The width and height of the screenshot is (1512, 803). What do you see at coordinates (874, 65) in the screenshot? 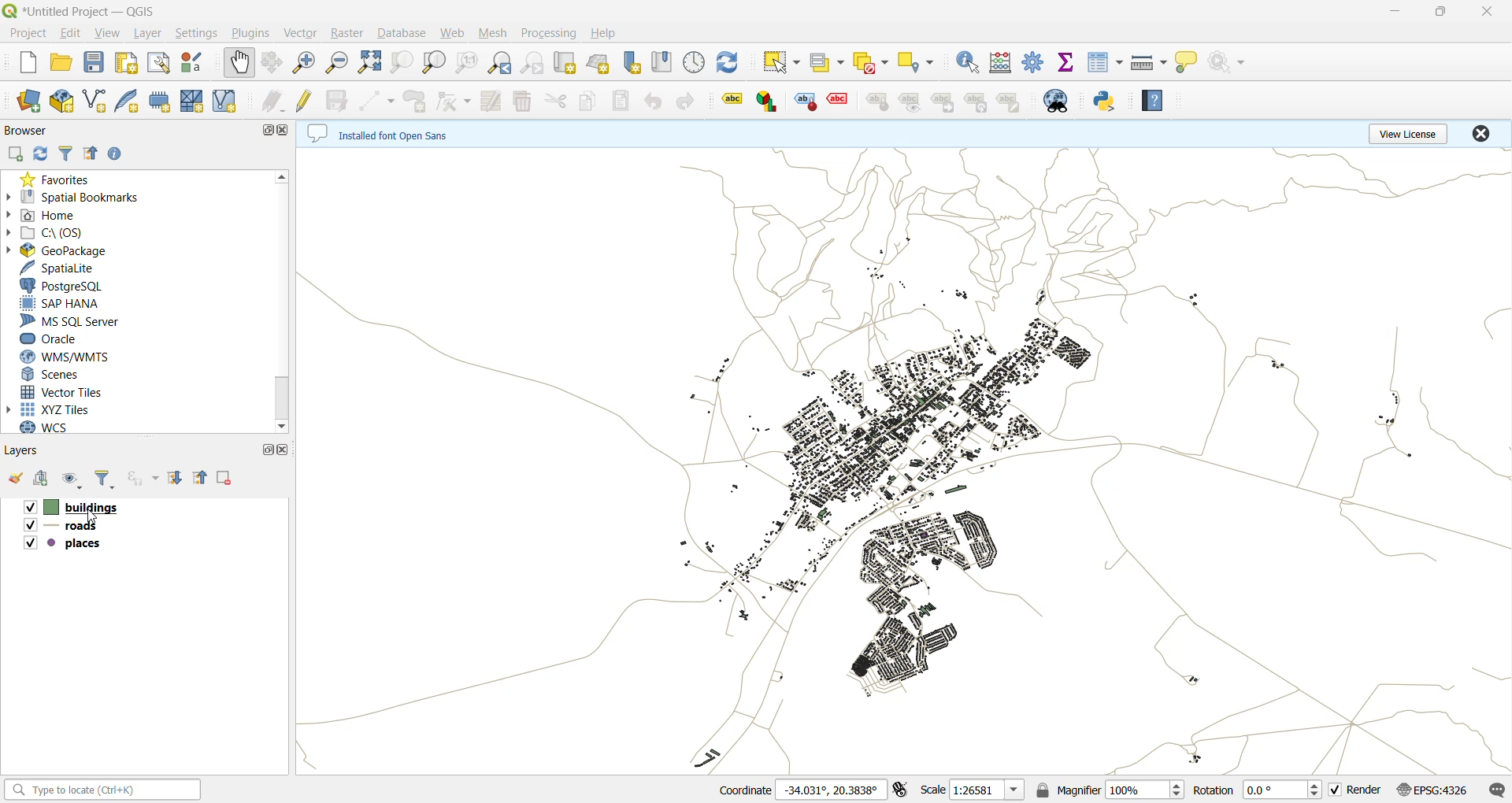
I see `deselect` at bounding box center [874, 65].